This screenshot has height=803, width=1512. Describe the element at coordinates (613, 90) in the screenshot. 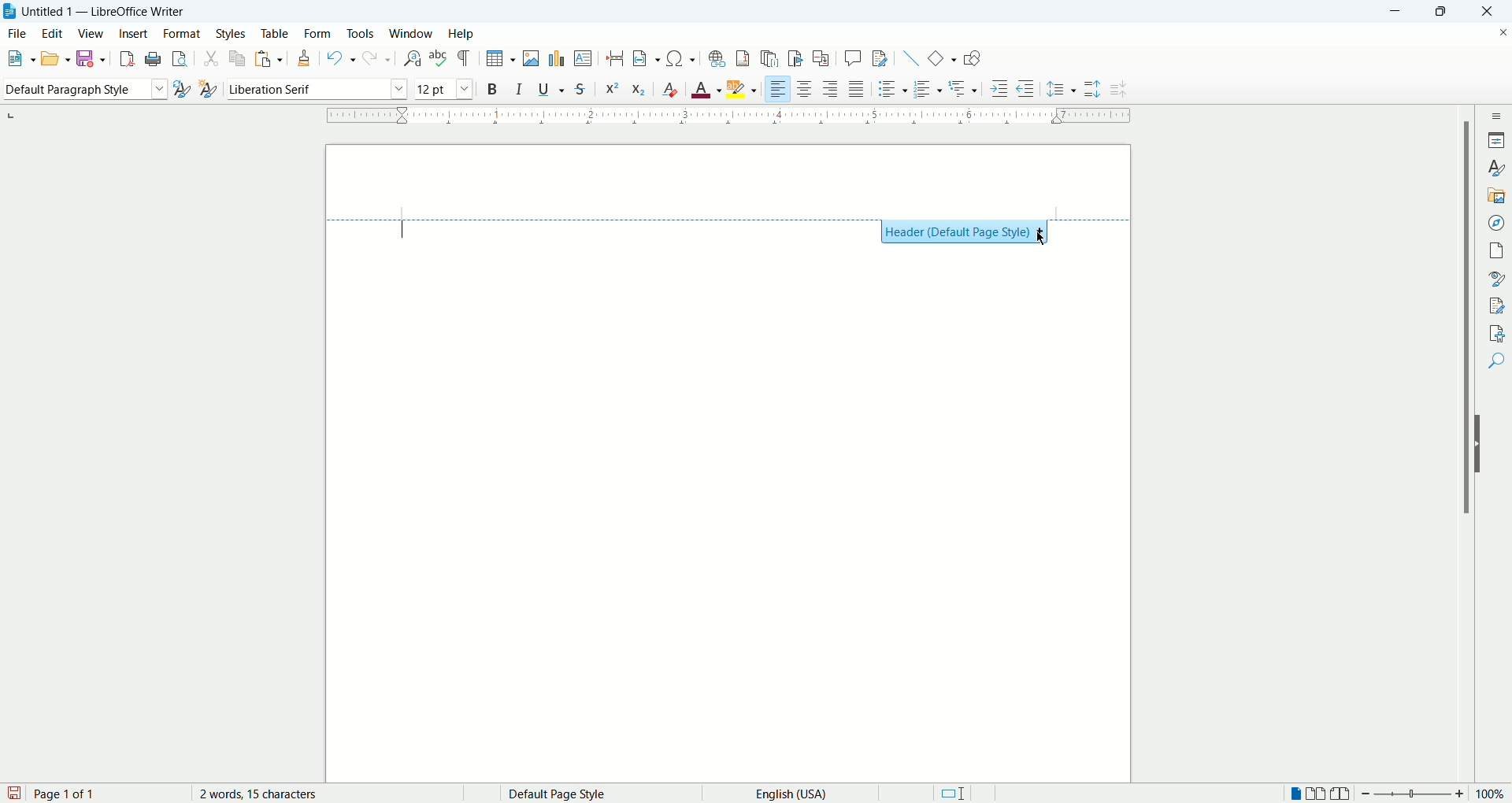

I see `superscript` at that location.